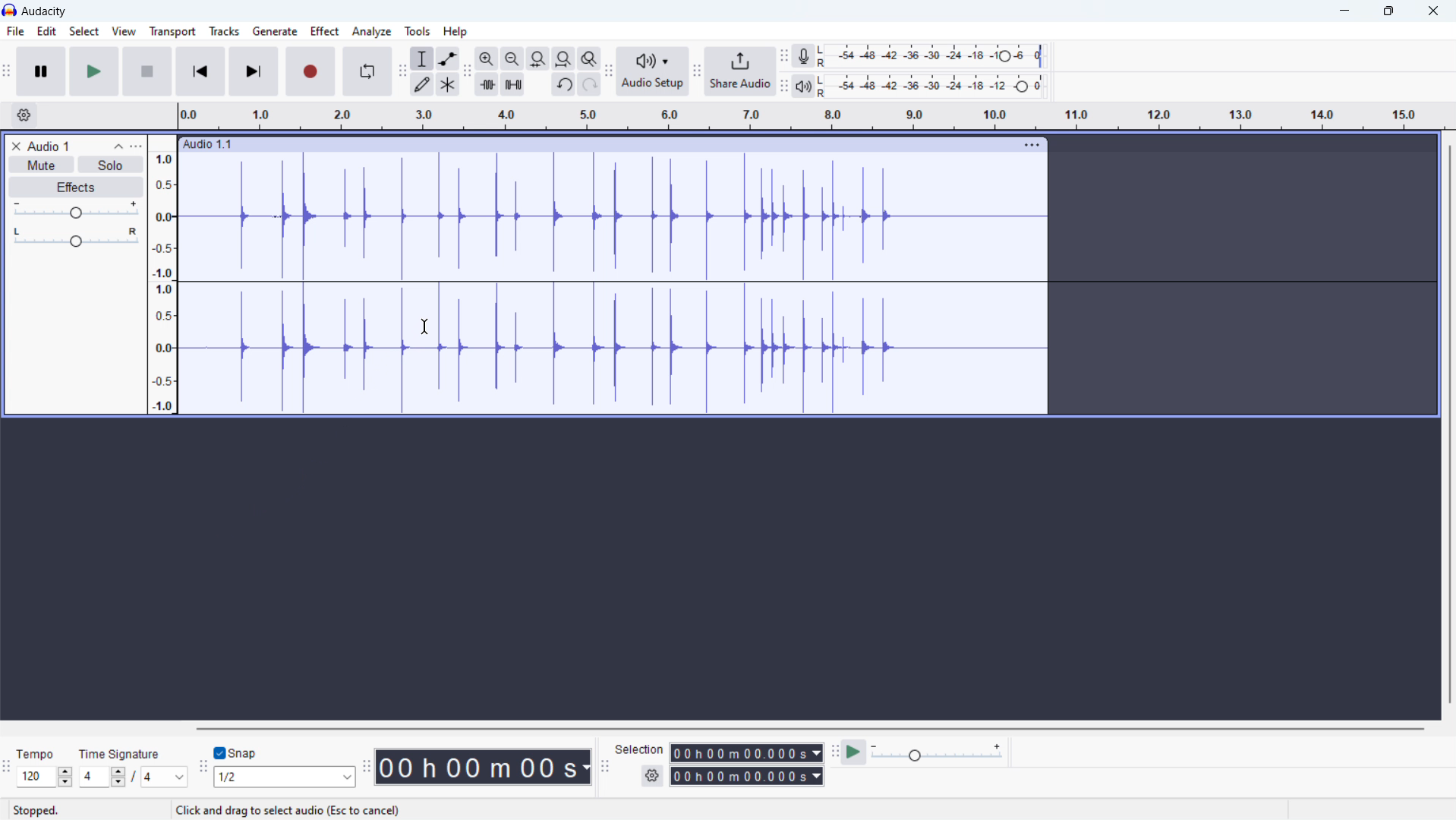 The image size is (1456, 820). Describe the element at coordinates (372, 31) in the screenshot. I see `analyze` at that location.